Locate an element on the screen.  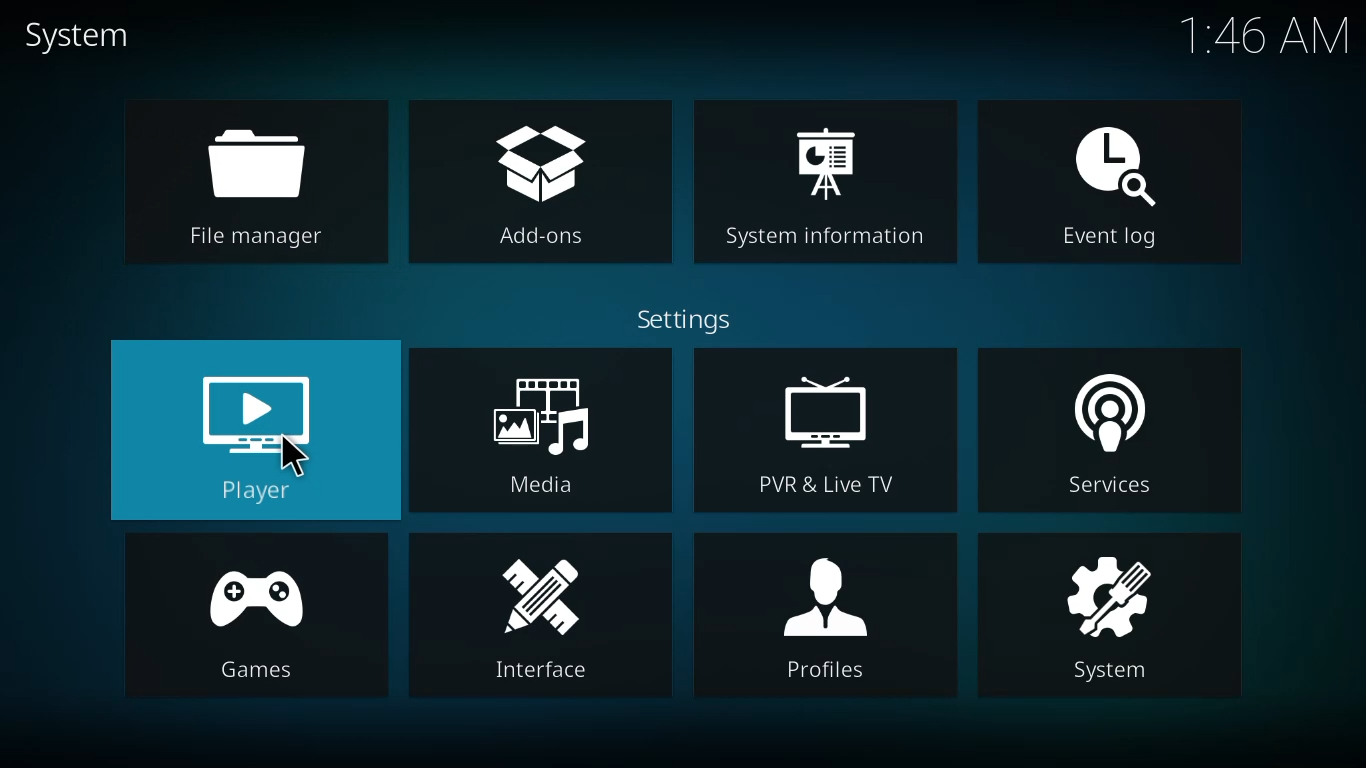
media is located at coordinates (543, 432).